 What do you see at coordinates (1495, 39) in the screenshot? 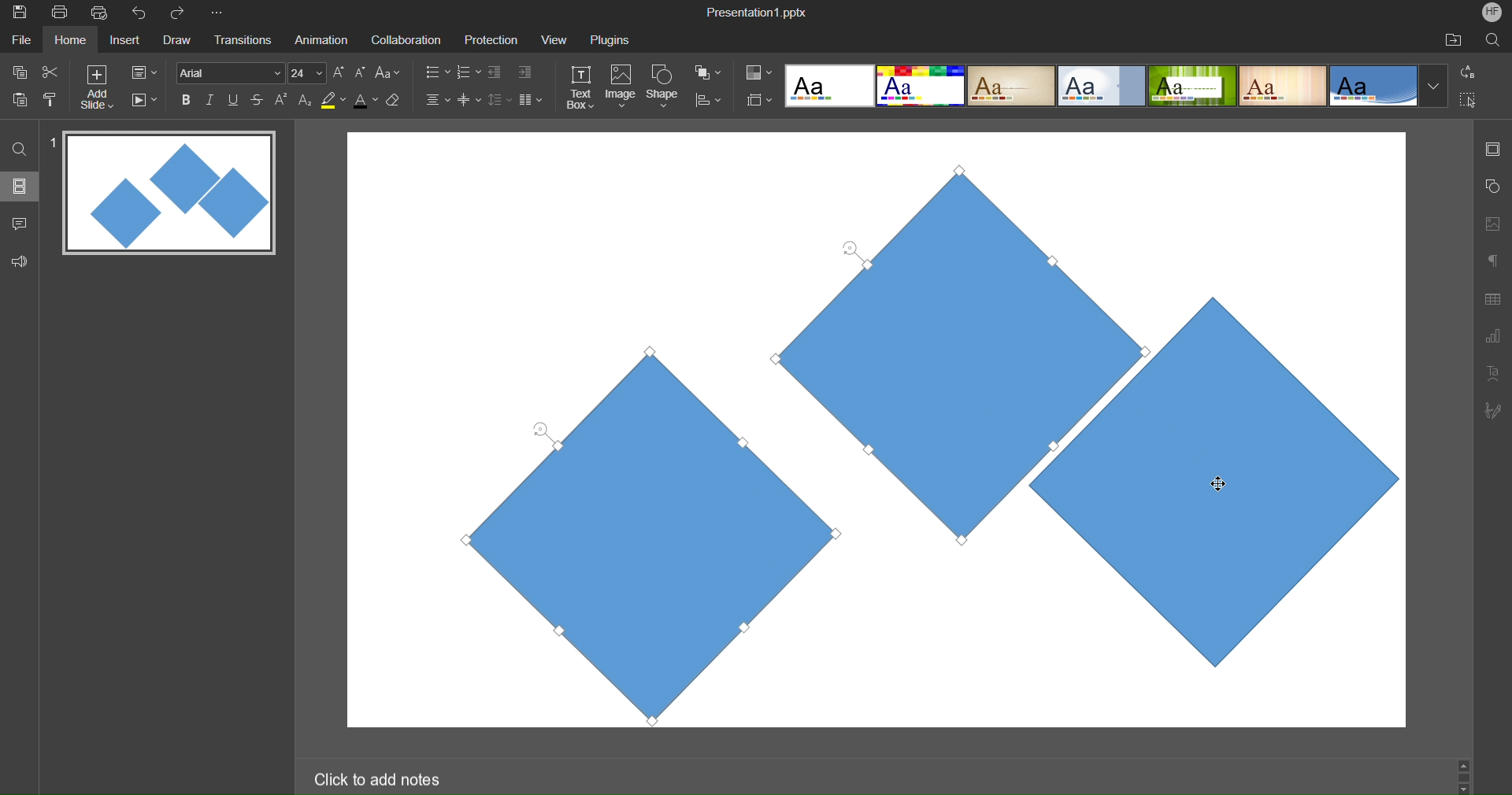
I see `search` at bounding box center [1495, 39].